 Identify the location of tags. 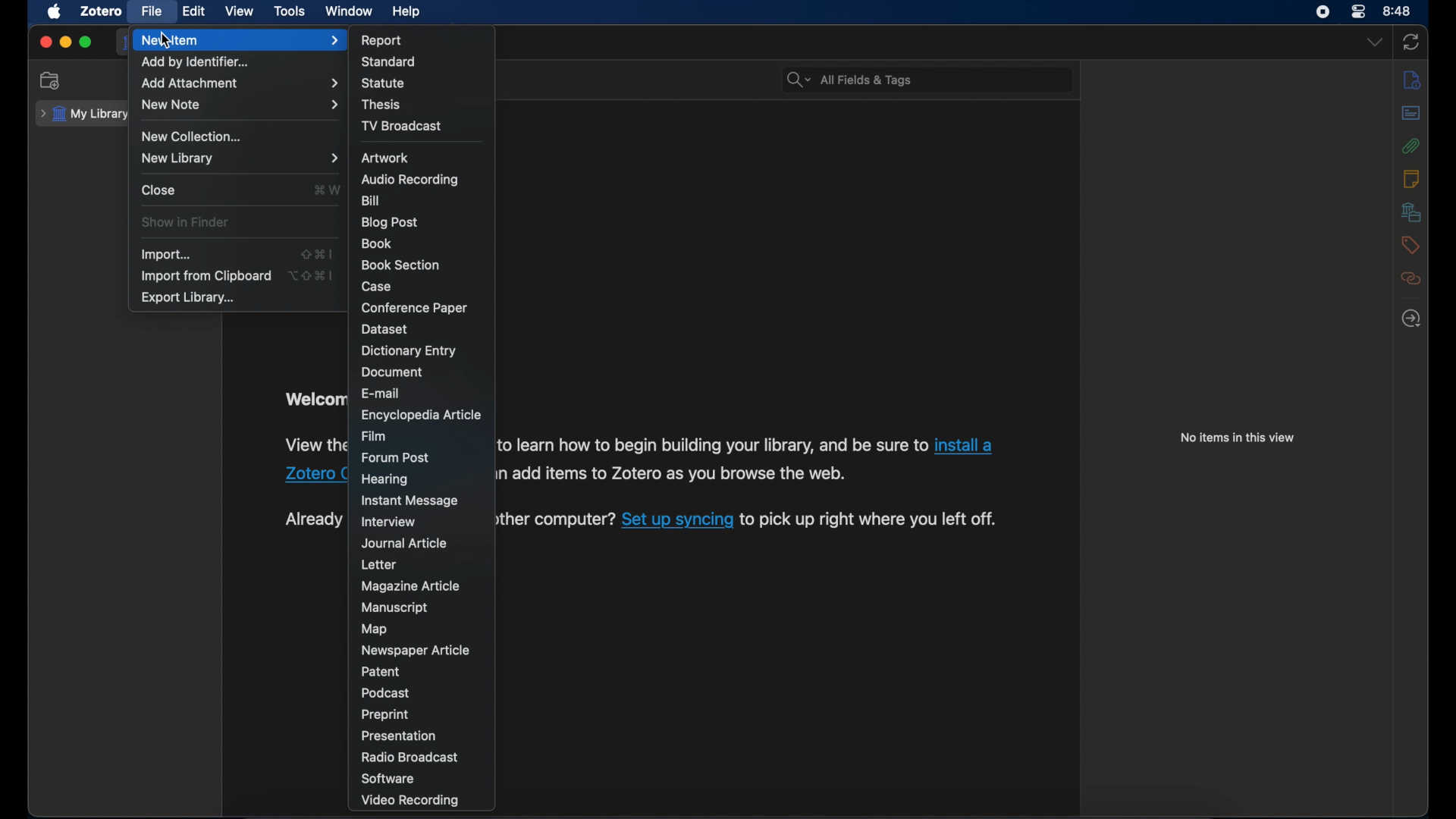
(1410, 245).